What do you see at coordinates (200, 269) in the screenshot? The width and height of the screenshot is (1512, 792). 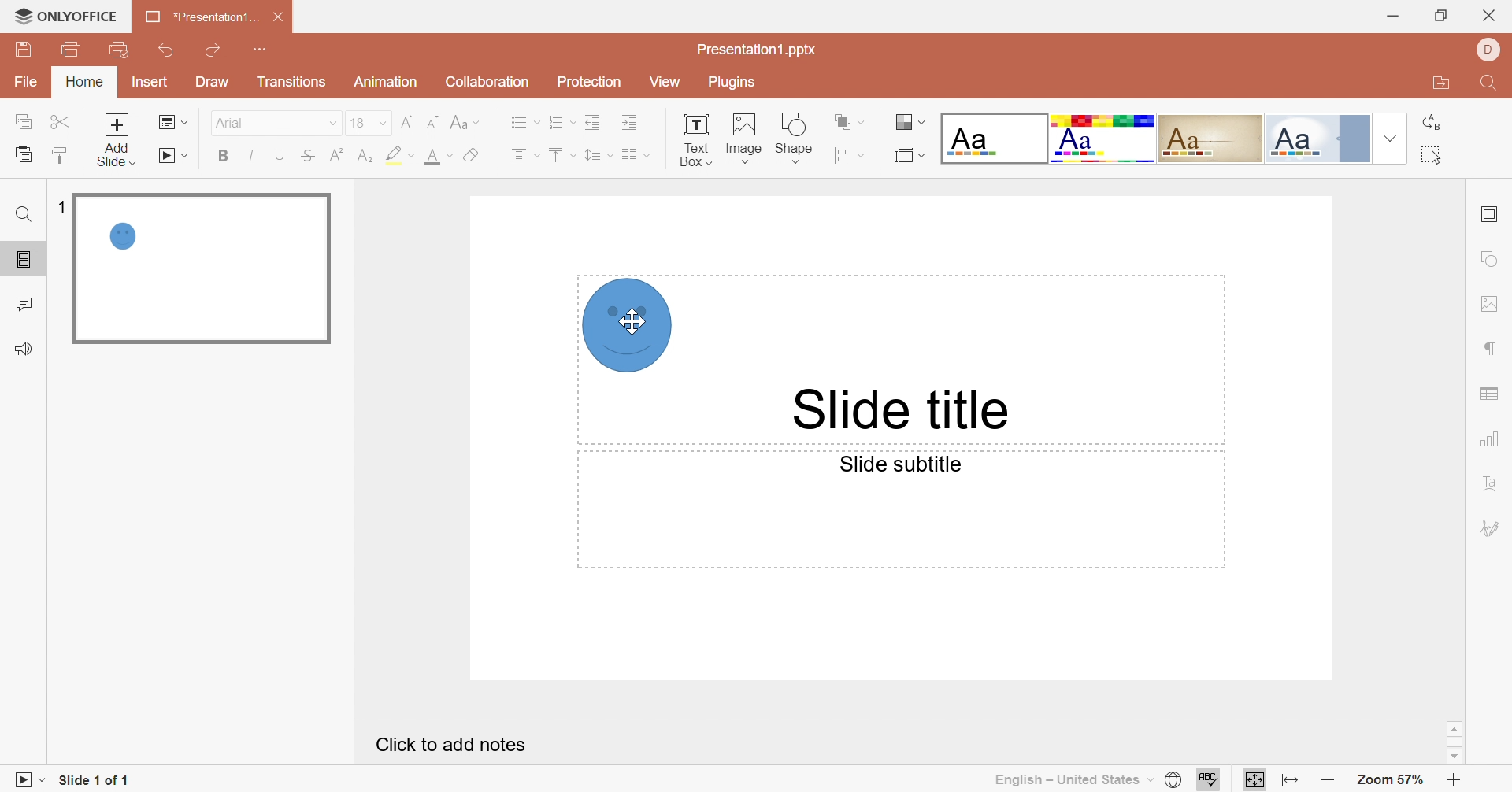 I see `Slide 1` at bounding box center [200, 269].